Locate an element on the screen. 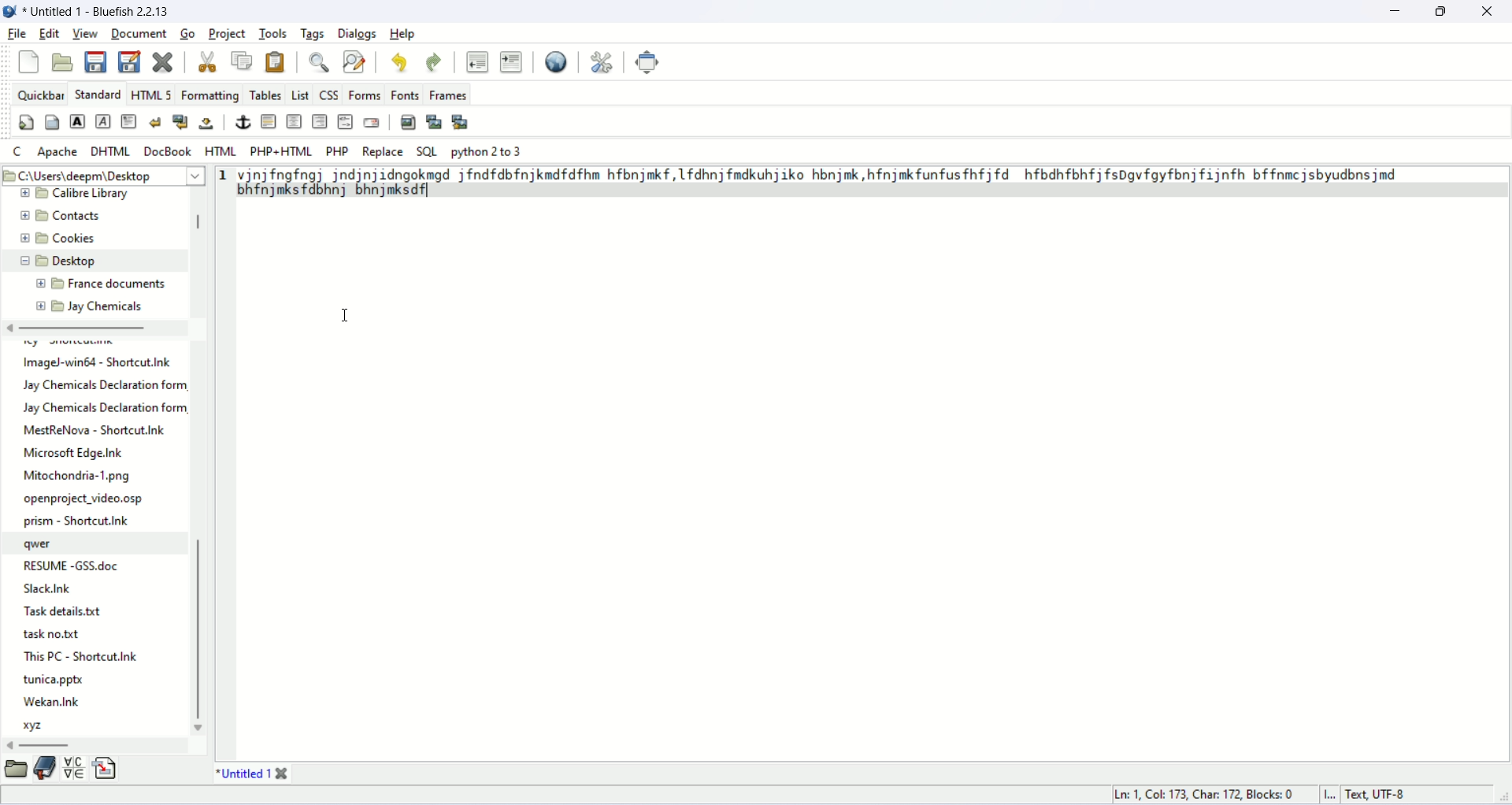 This screenshot has width=1512, height=805. cut is located at coordinates (206, 61).